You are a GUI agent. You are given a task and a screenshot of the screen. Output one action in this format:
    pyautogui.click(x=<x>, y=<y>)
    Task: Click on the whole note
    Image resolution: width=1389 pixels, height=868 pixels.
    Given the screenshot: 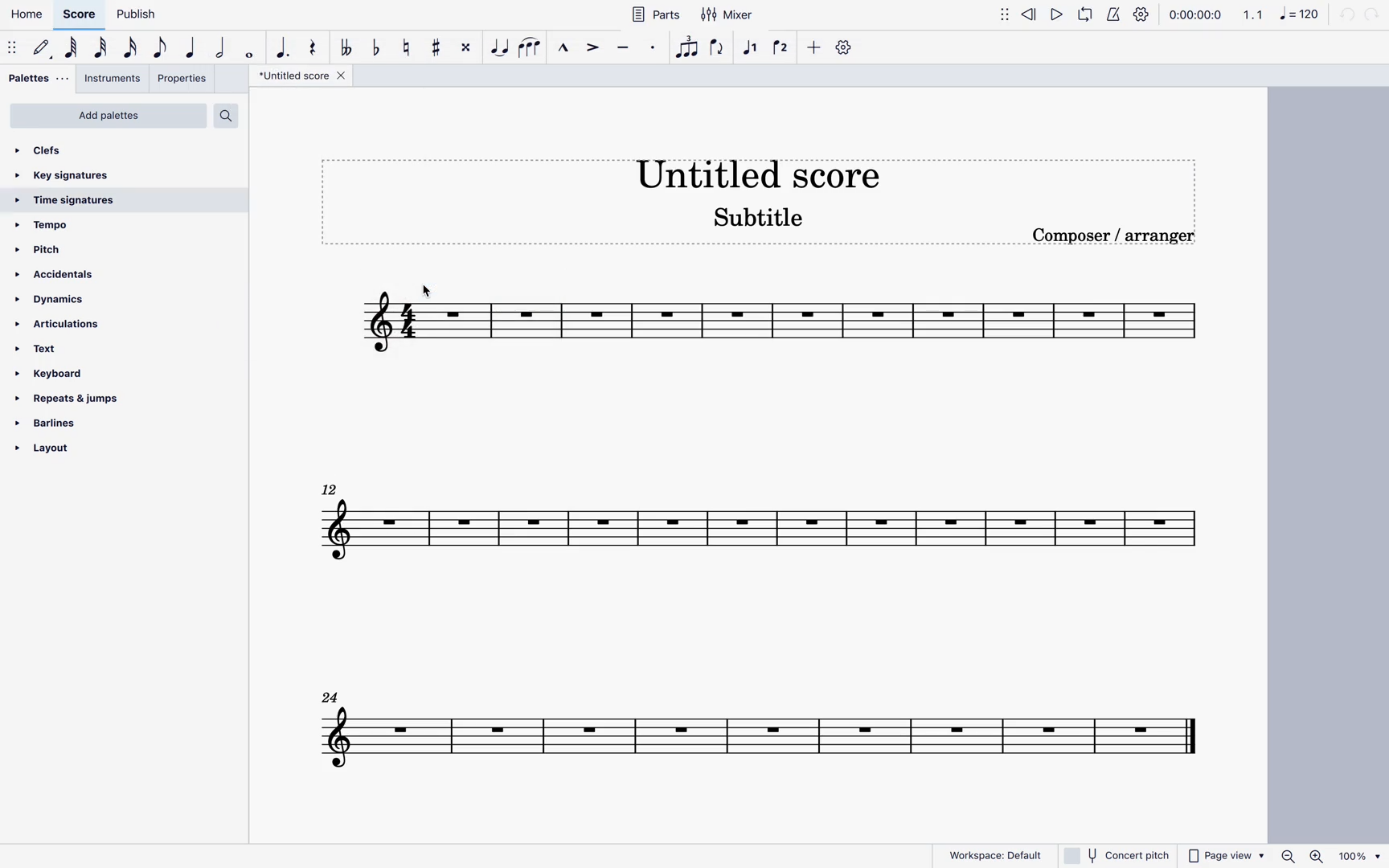 What is the action you would take?
    pyautogui.click(x=248, y=54)
    